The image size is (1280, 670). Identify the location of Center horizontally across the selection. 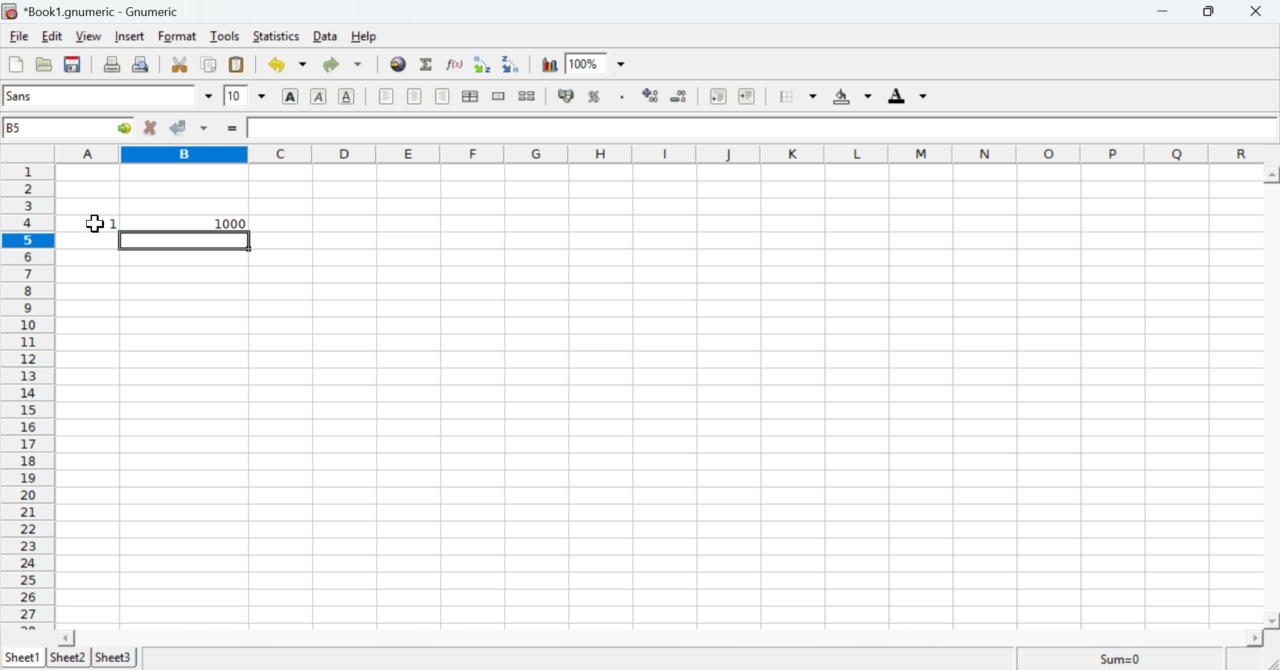
(470, 98).